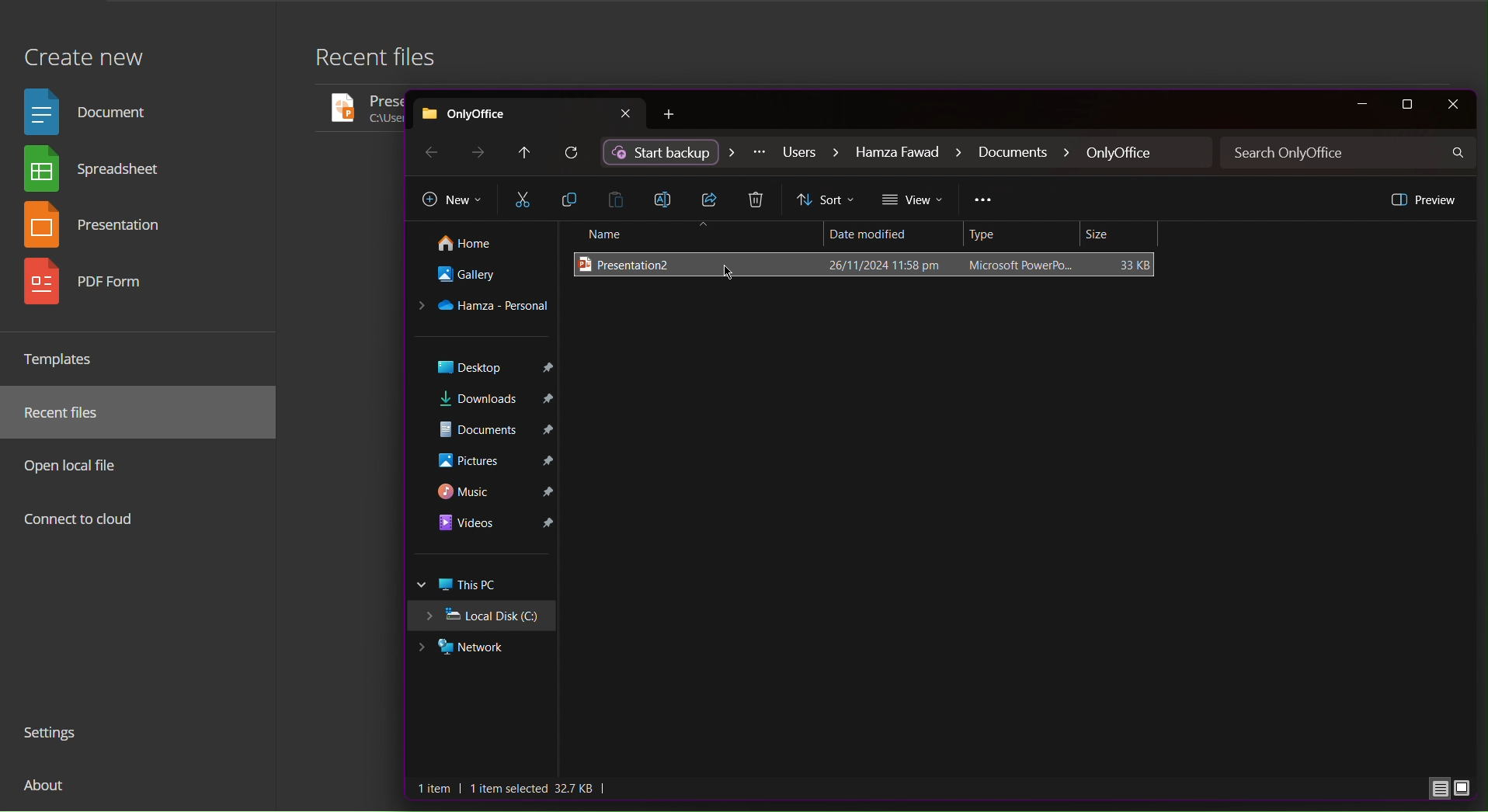 The width and height of the screenshot is (1488, 812). Describe the element at coordinates (480, 152) in the screenshot. I see `Next` at that location.